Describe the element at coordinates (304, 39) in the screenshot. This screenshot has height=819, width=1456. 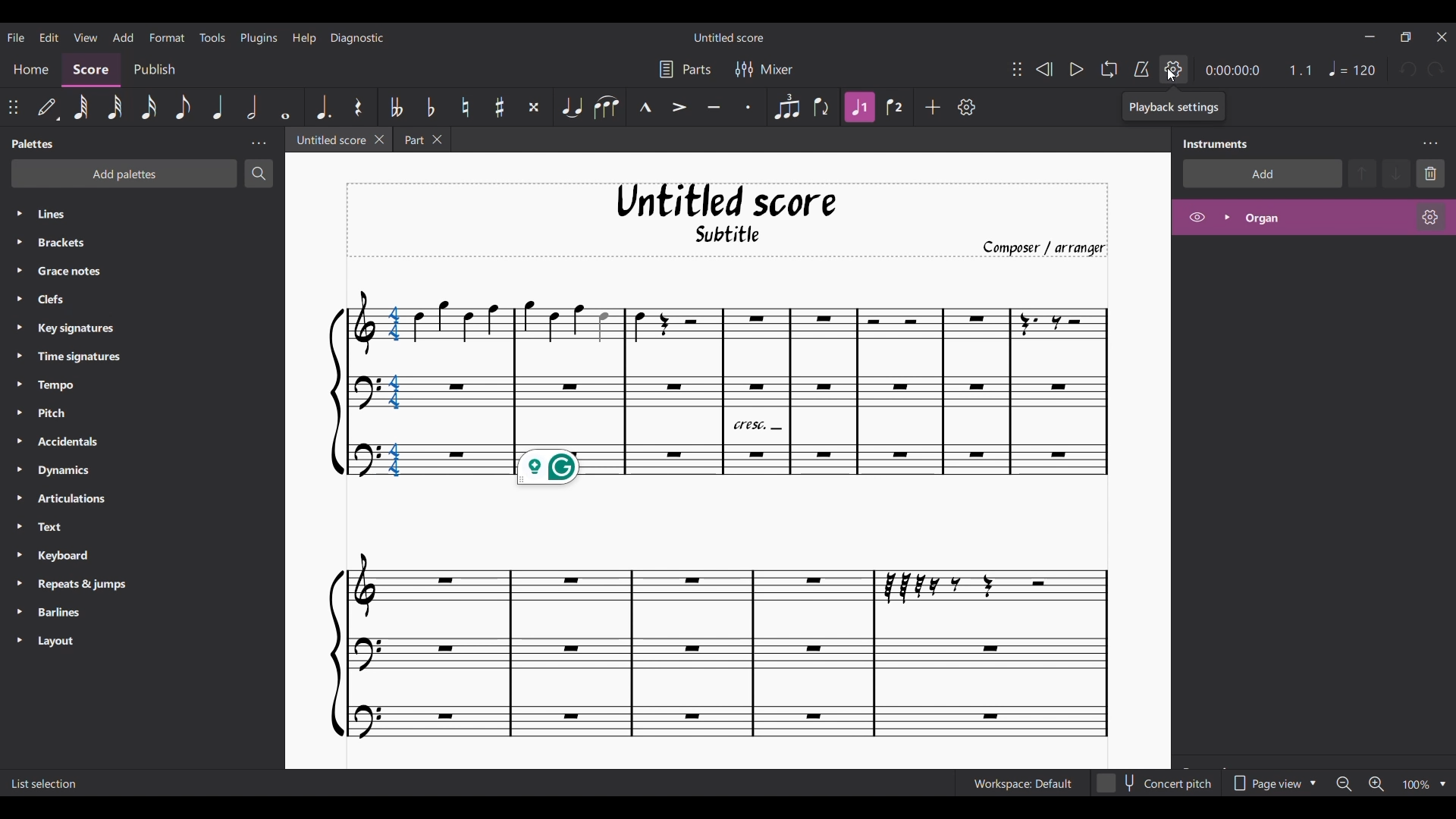
I see `Help menu` at that location.